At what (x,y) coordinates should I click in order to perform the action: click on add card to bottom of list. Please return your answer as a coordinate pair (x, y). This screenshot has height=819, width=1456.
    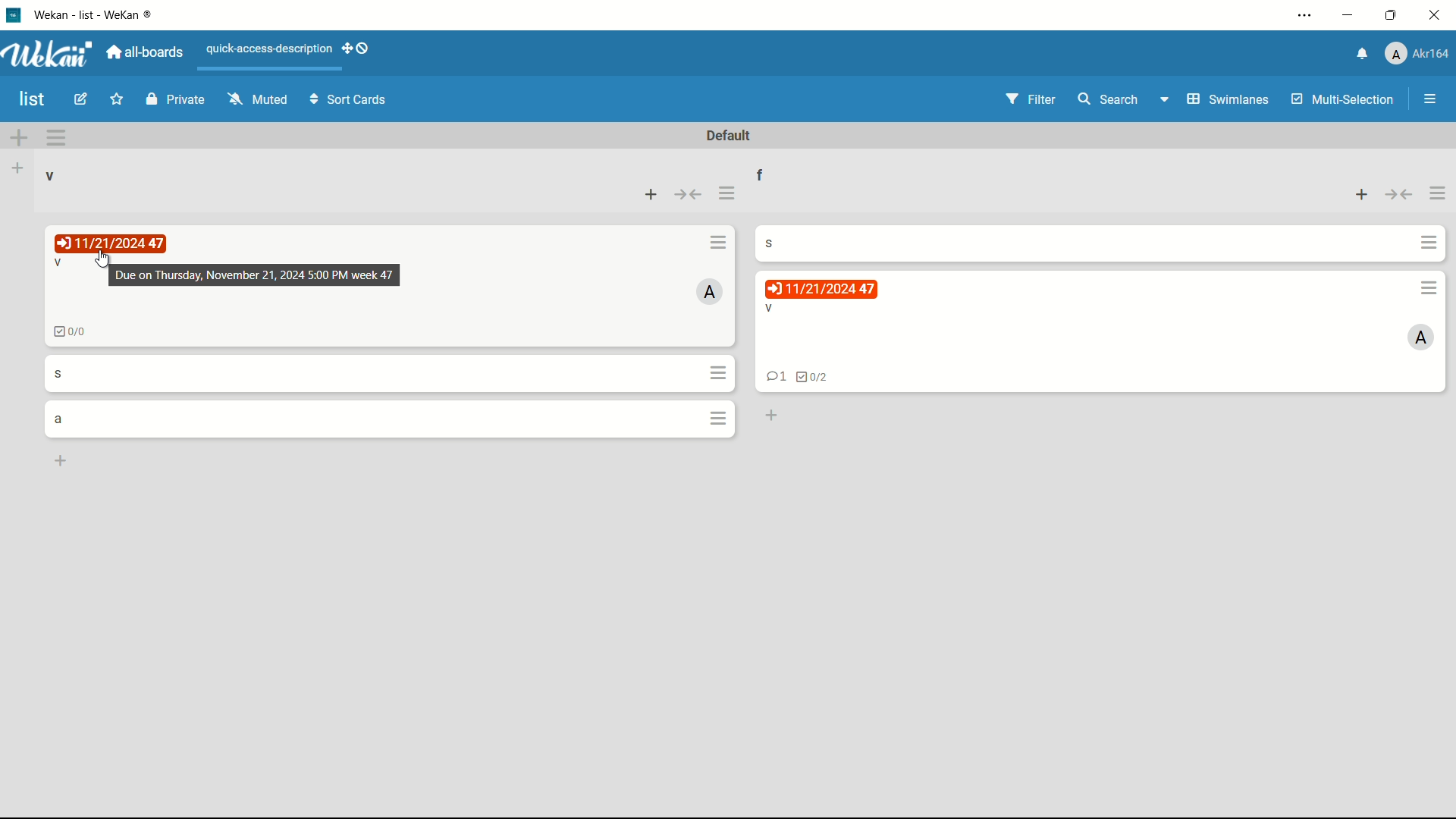
    Looking at the image, I should click on (770, 416).